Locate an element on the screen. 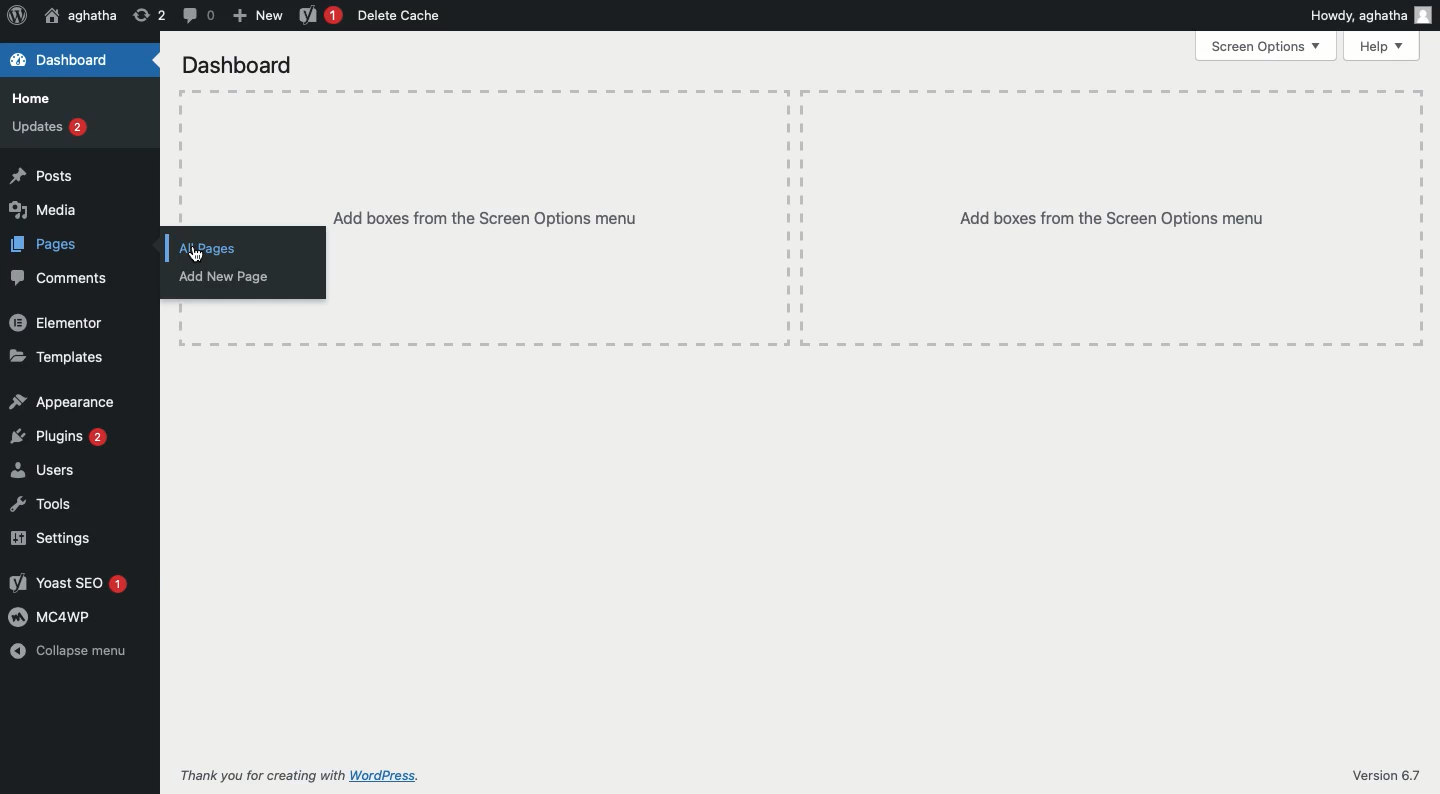 The width and height of the screenshot is (1440, 794). Logo is located at coordinates (14, 15).